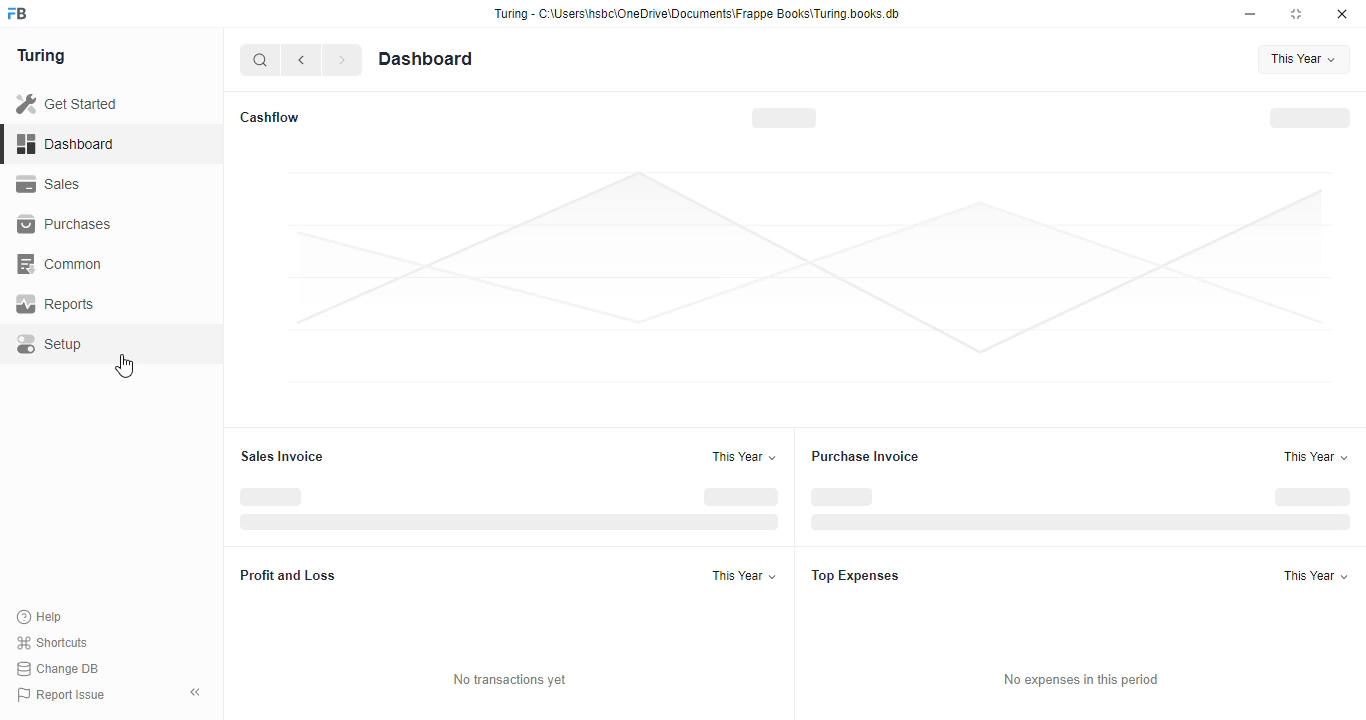  Describe the element at coordinates (288, 576) in the screenshot. I see `profit and loss` at that location.